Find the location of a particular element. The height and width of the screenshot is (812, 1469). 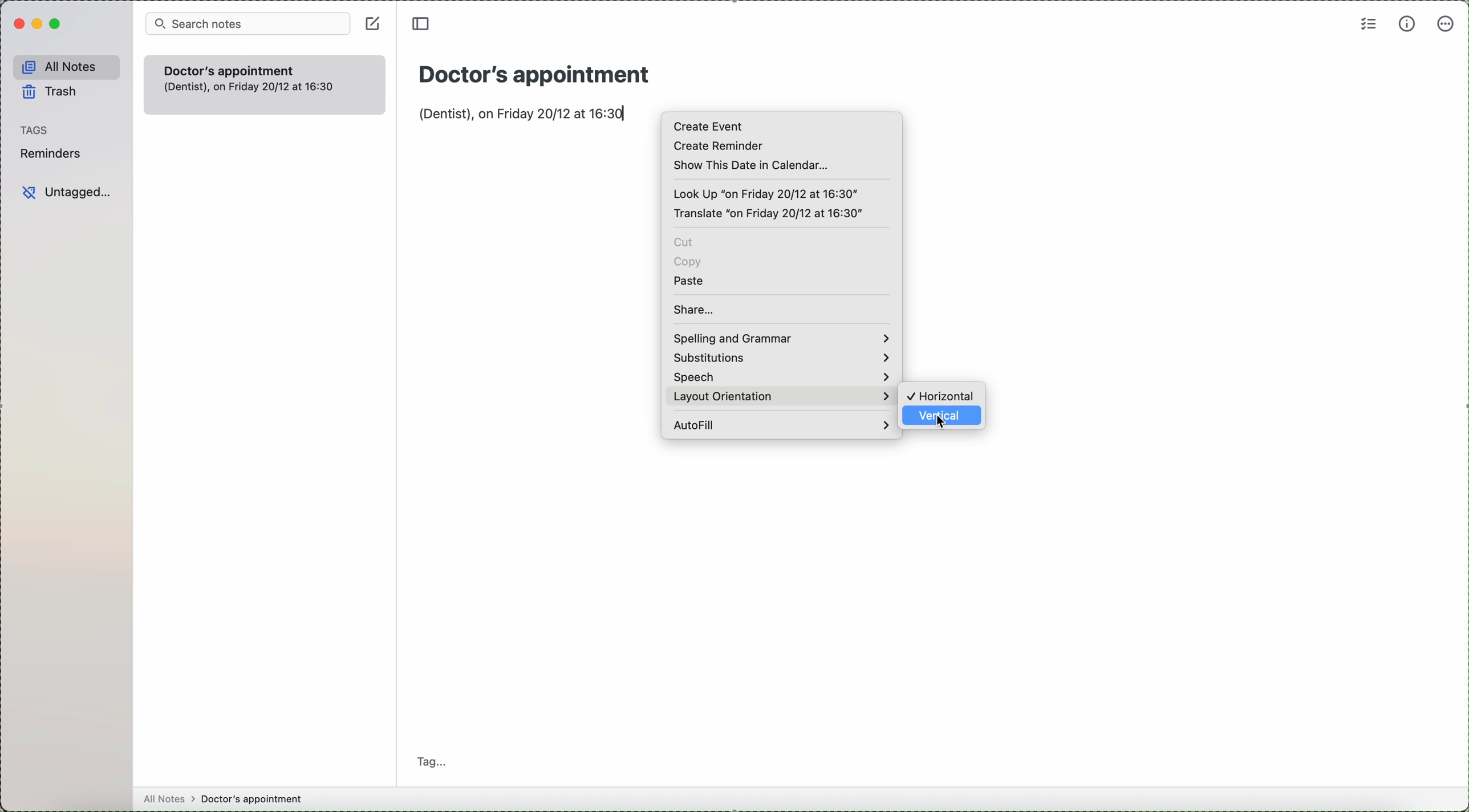

tag is located at coordinates (431, 761).